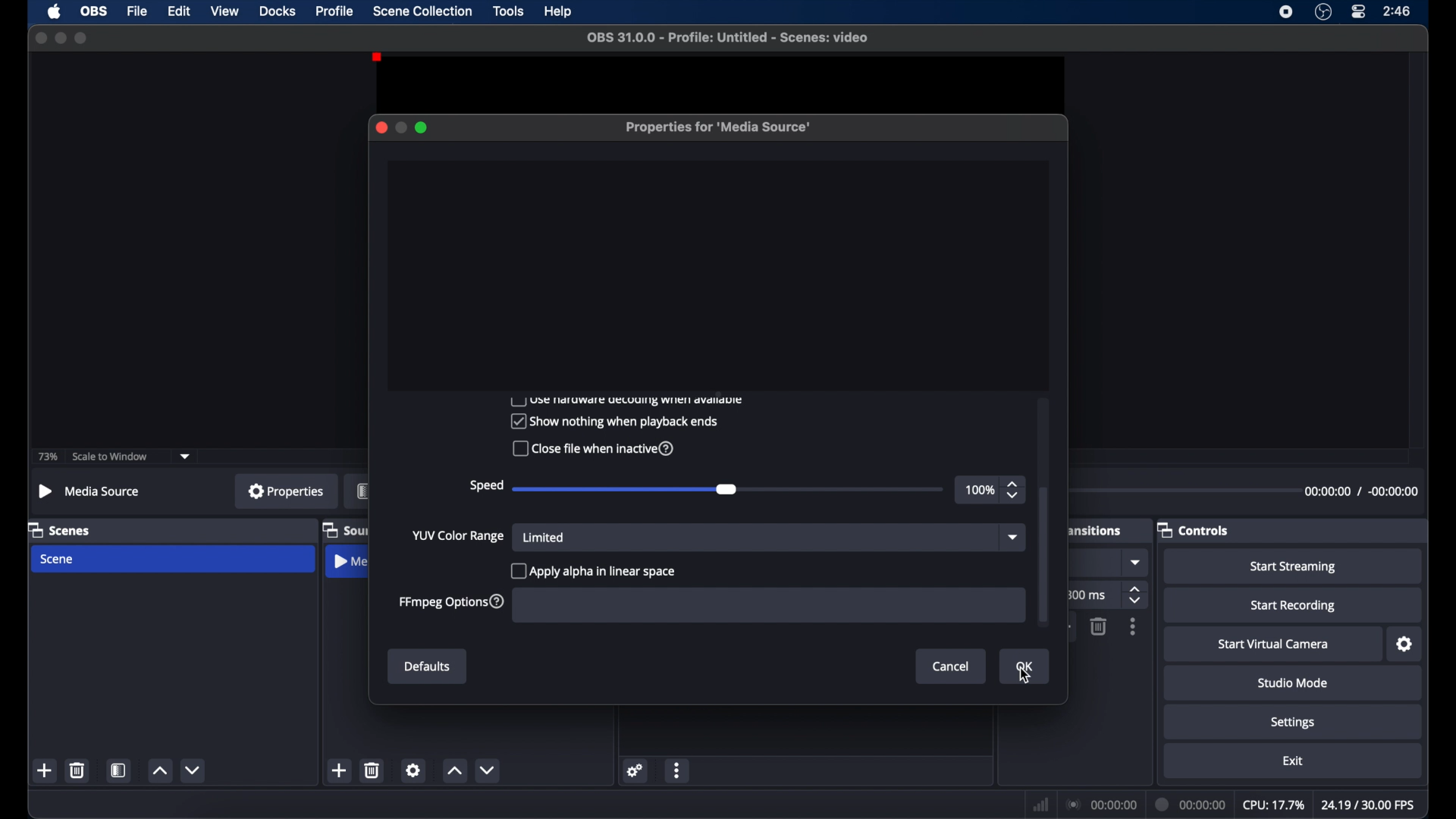  Describe the element at coordinates (455, 772) in the screenshot. I see `increment` at that location.